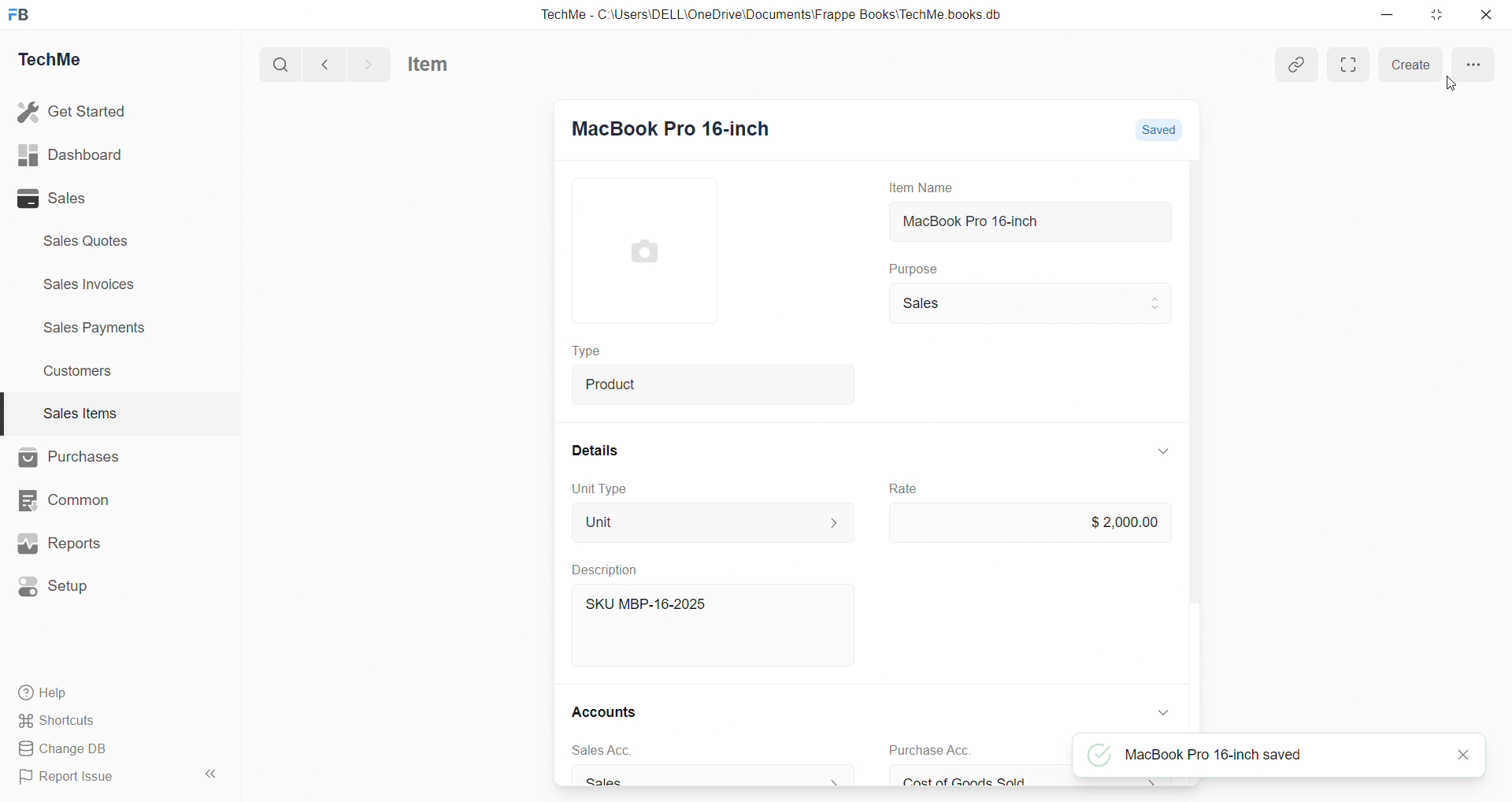 The width and height of the screenshot is (1512, 802). I want to click on Item, so click(428, 64).